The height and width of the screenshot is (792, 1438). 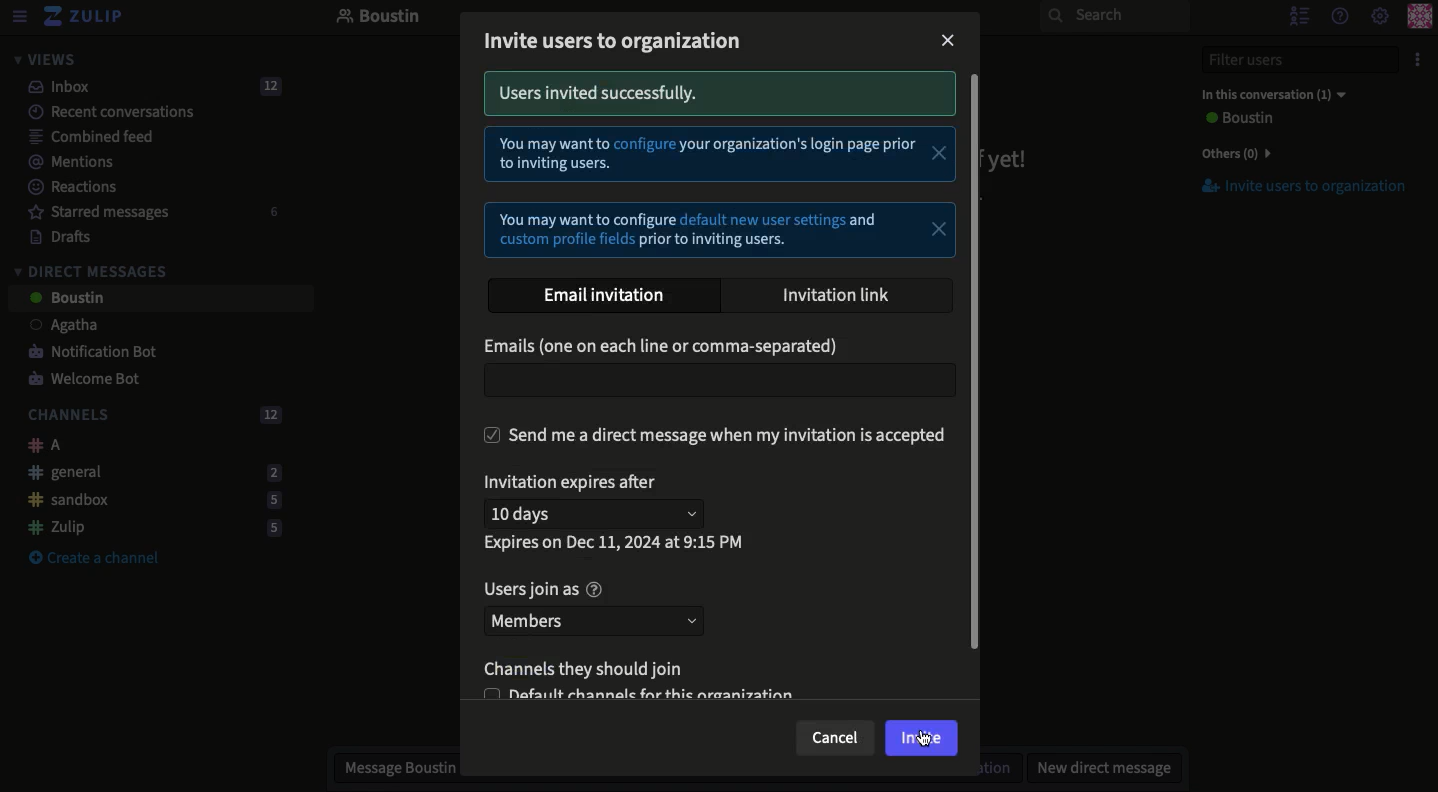 What do you see at coordinates (603, 297) in the screenshot?
I see `Email invitation ` at bounding box center [603, 297].